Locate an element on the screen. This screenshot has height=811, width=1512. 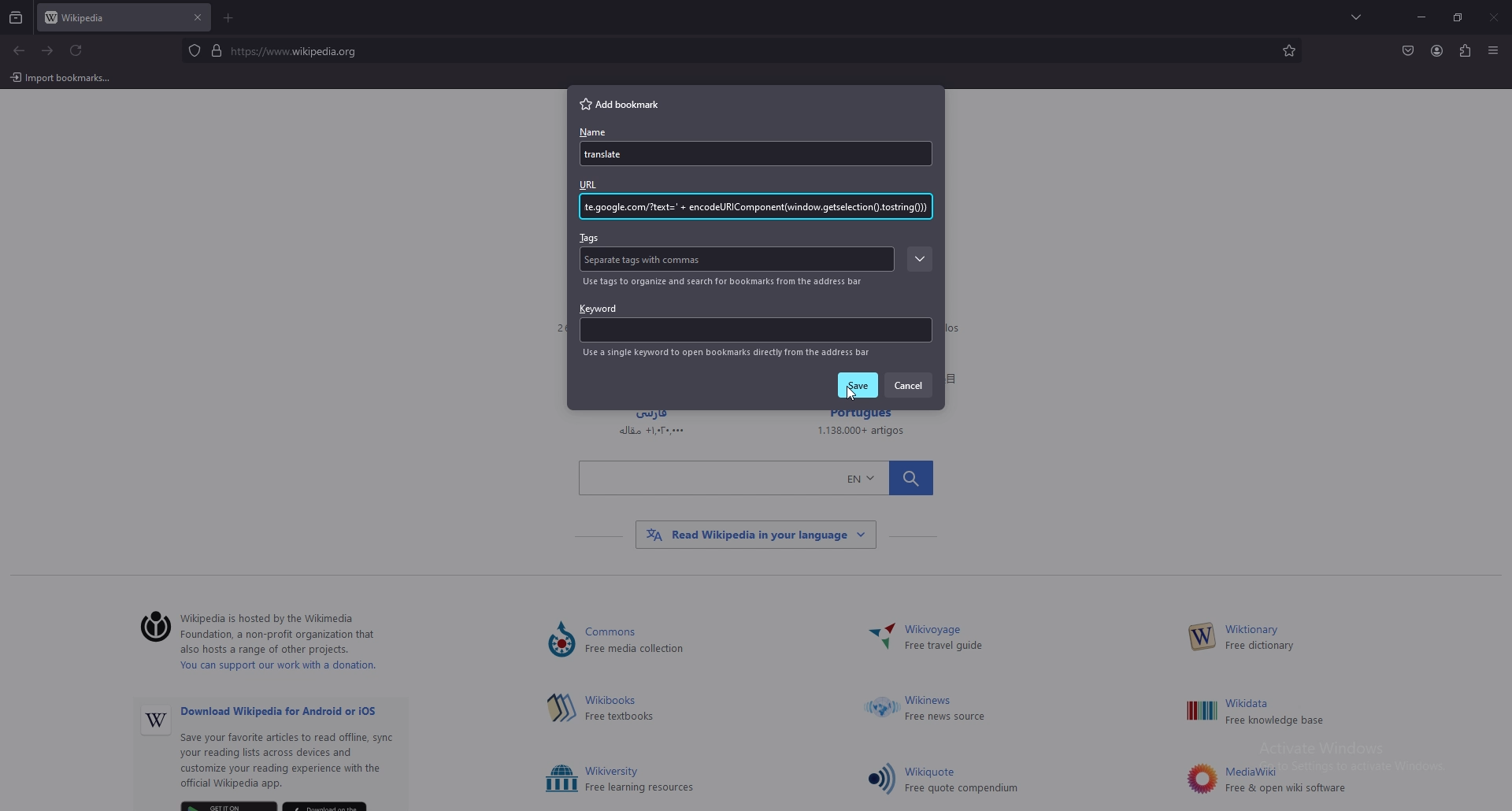
 is located at coordinates (642, 780).